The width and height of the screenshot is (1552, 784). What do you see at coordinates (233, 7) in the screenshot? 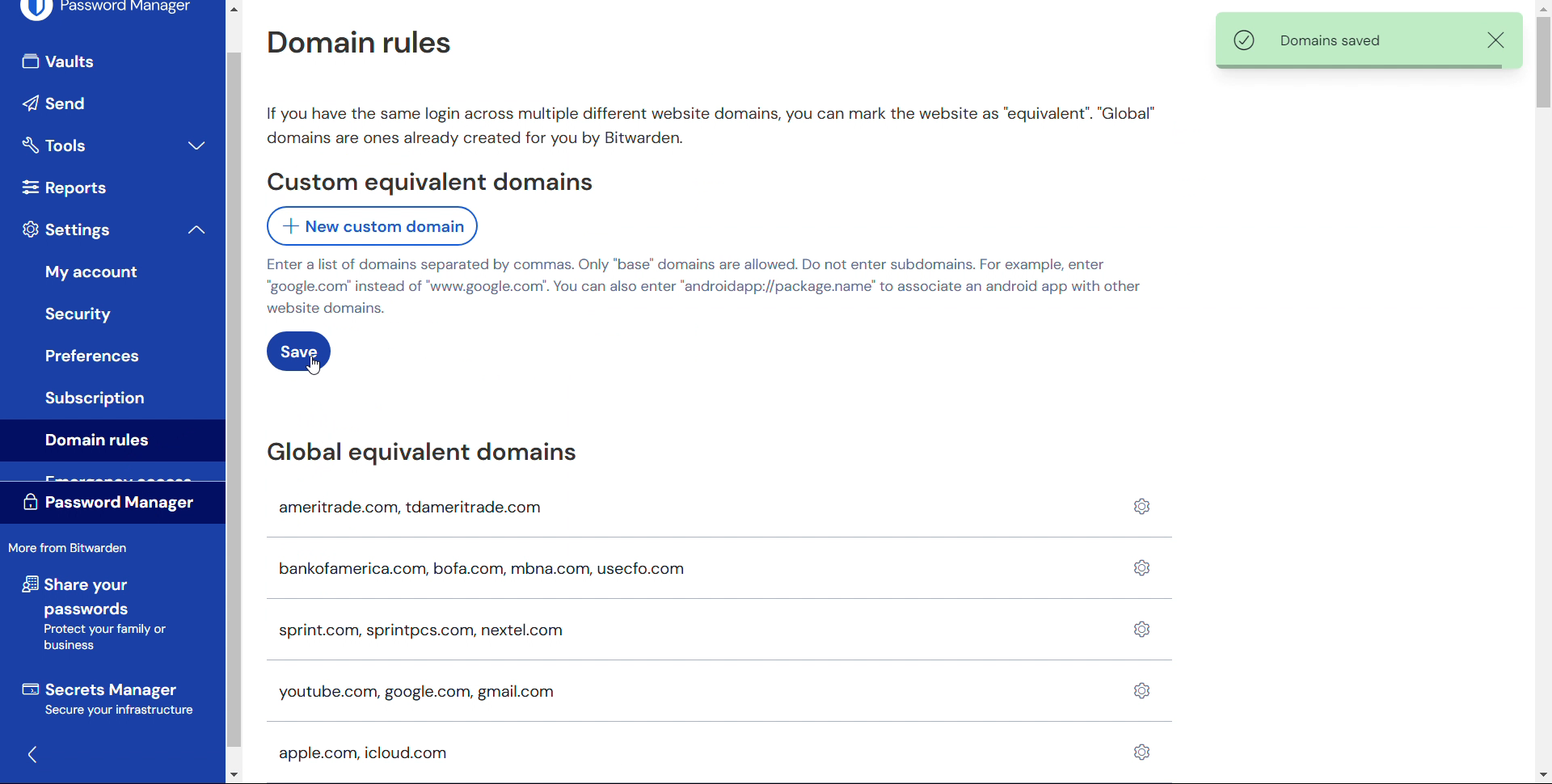
I see `Scroll up ` at bounding box center [233, 7].